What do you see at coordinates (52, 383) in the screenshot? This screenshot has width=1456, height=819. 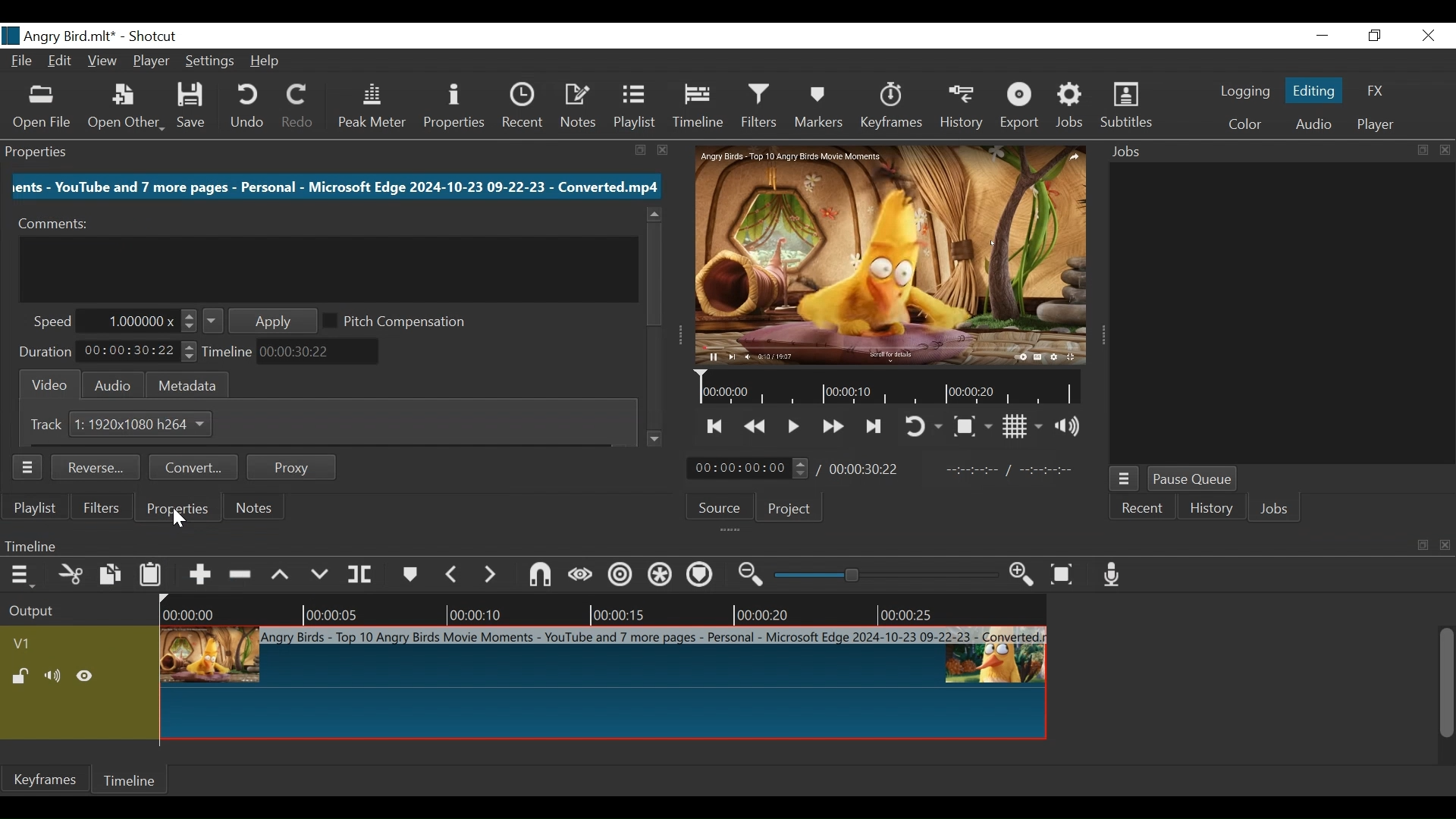 I see `Video` at bounding box center [52, 383].